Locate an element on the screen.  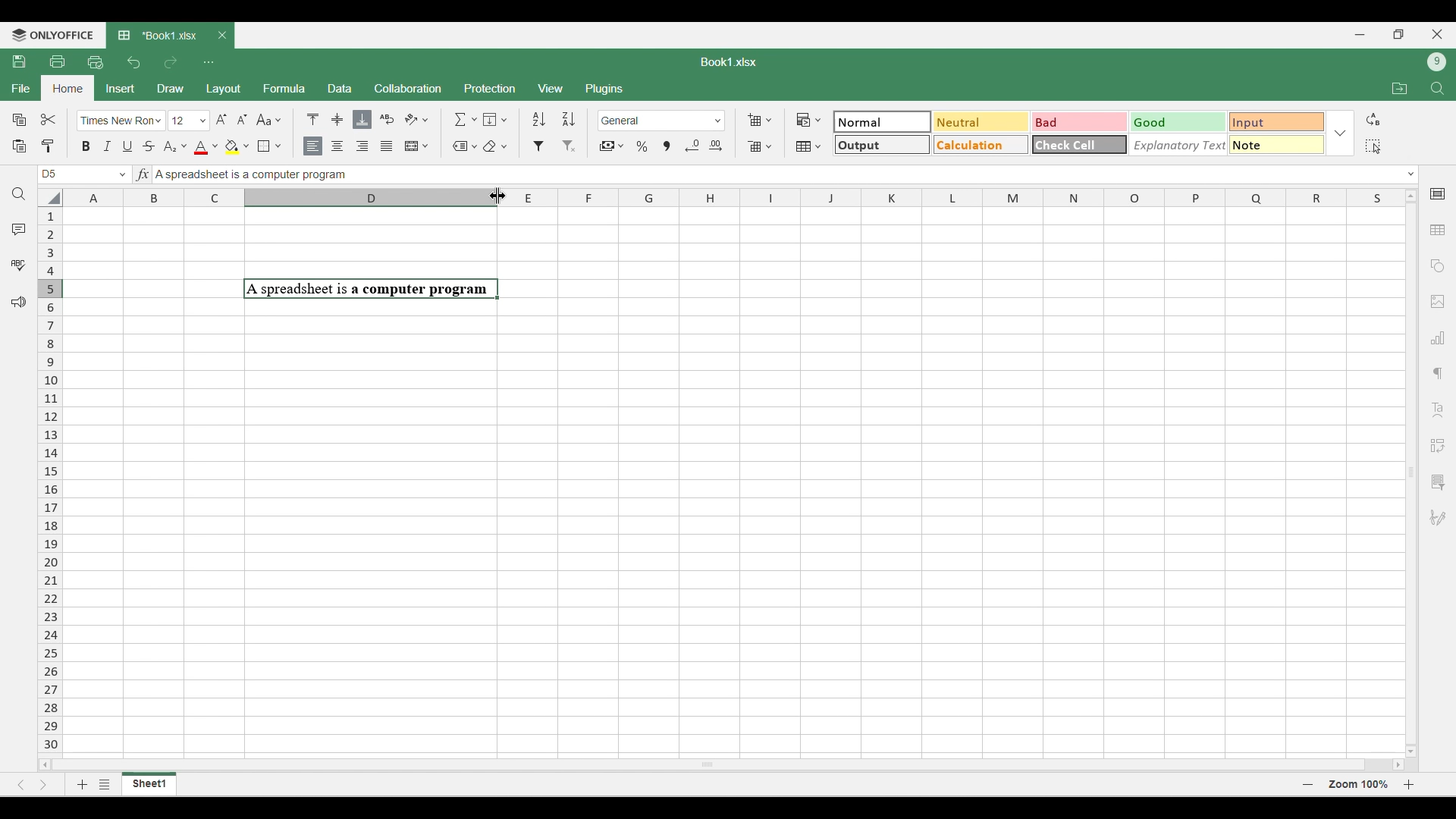
Vertical marker is located at coordinates (51, 482).